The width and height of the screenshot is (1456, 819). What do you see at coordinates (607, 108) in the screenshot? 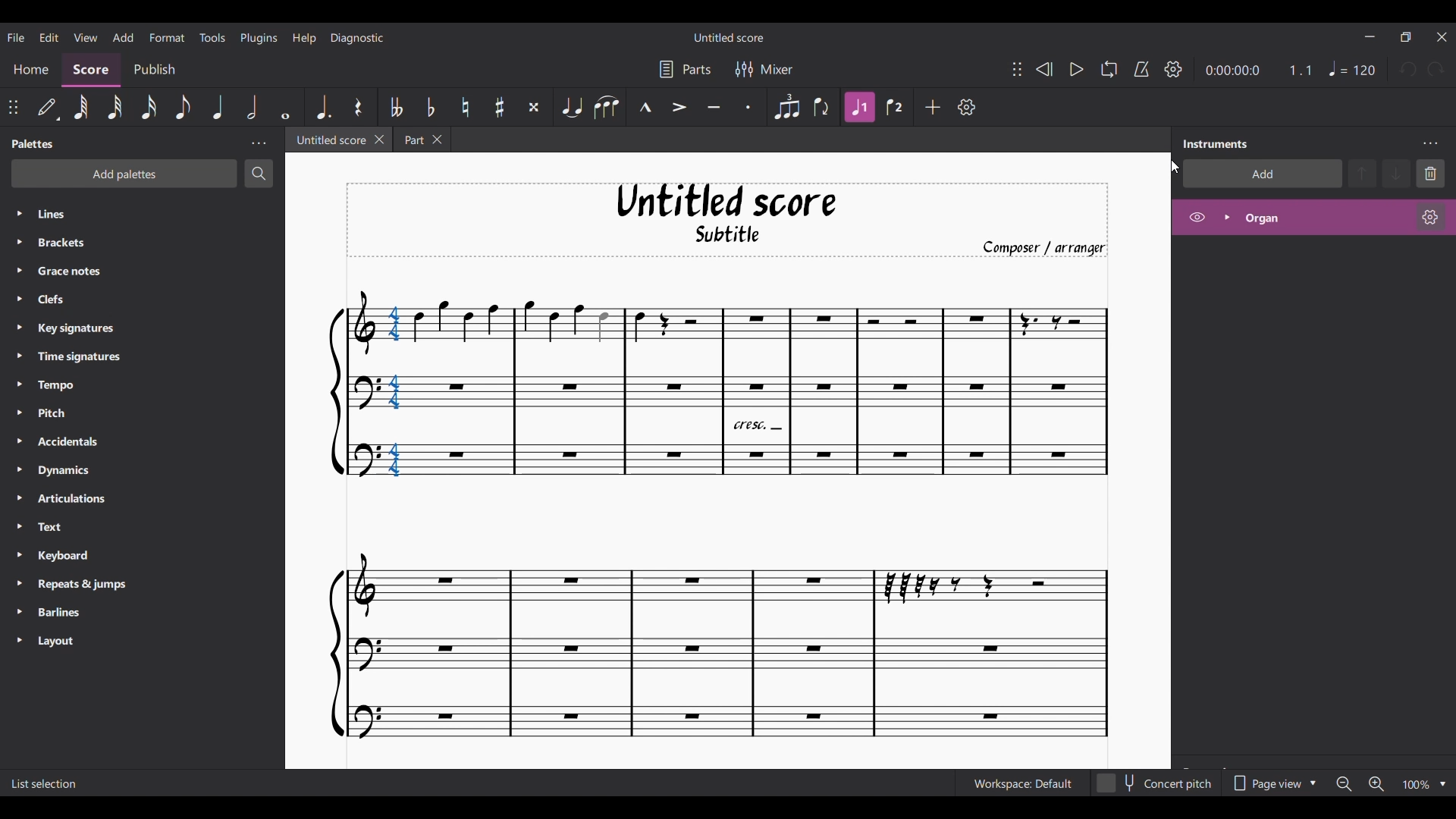
I see `Slur` at bounding box center [607, 108].